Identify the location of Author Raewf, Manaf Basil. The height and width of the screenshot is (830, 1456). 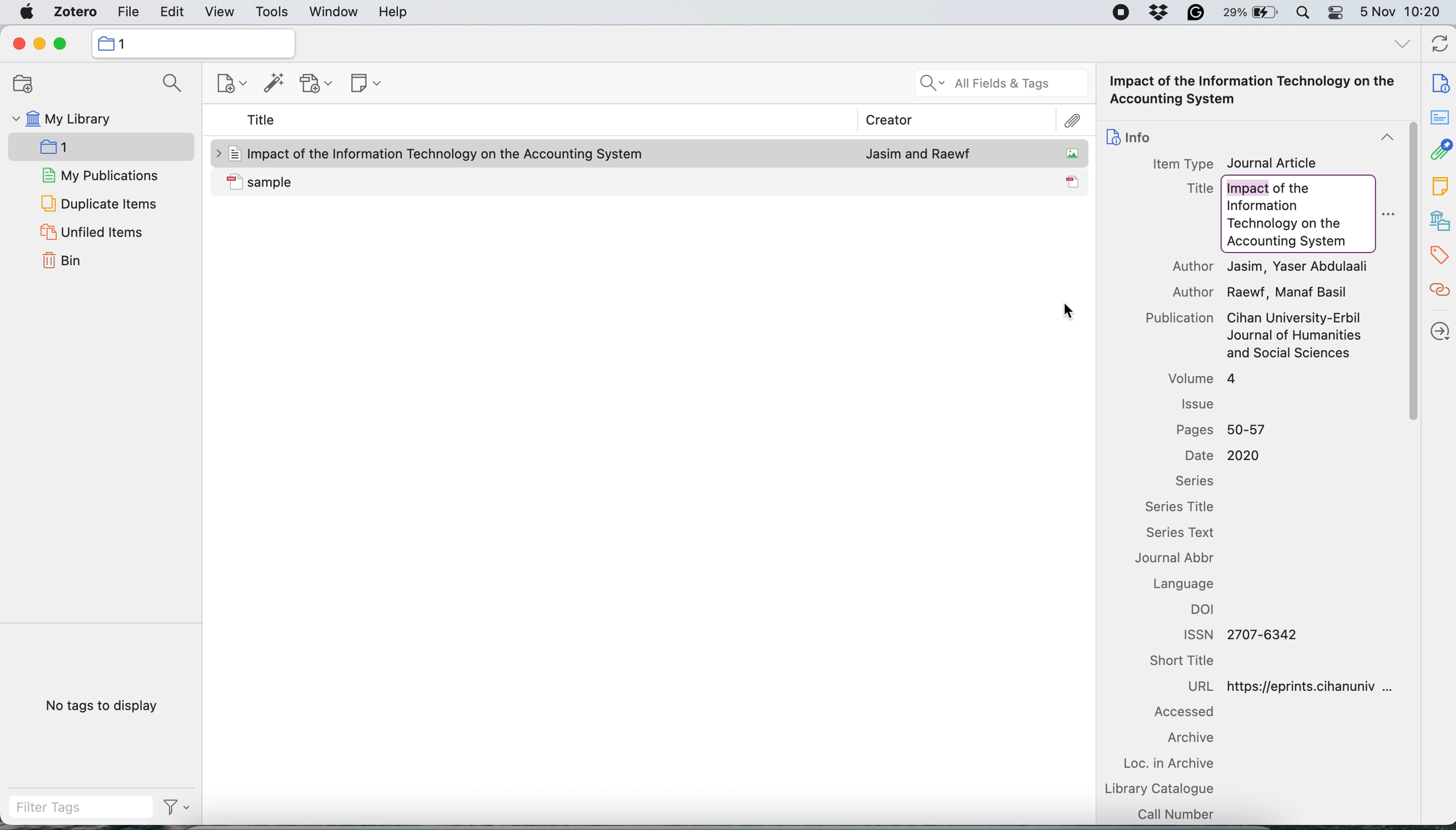
(1260, 292).